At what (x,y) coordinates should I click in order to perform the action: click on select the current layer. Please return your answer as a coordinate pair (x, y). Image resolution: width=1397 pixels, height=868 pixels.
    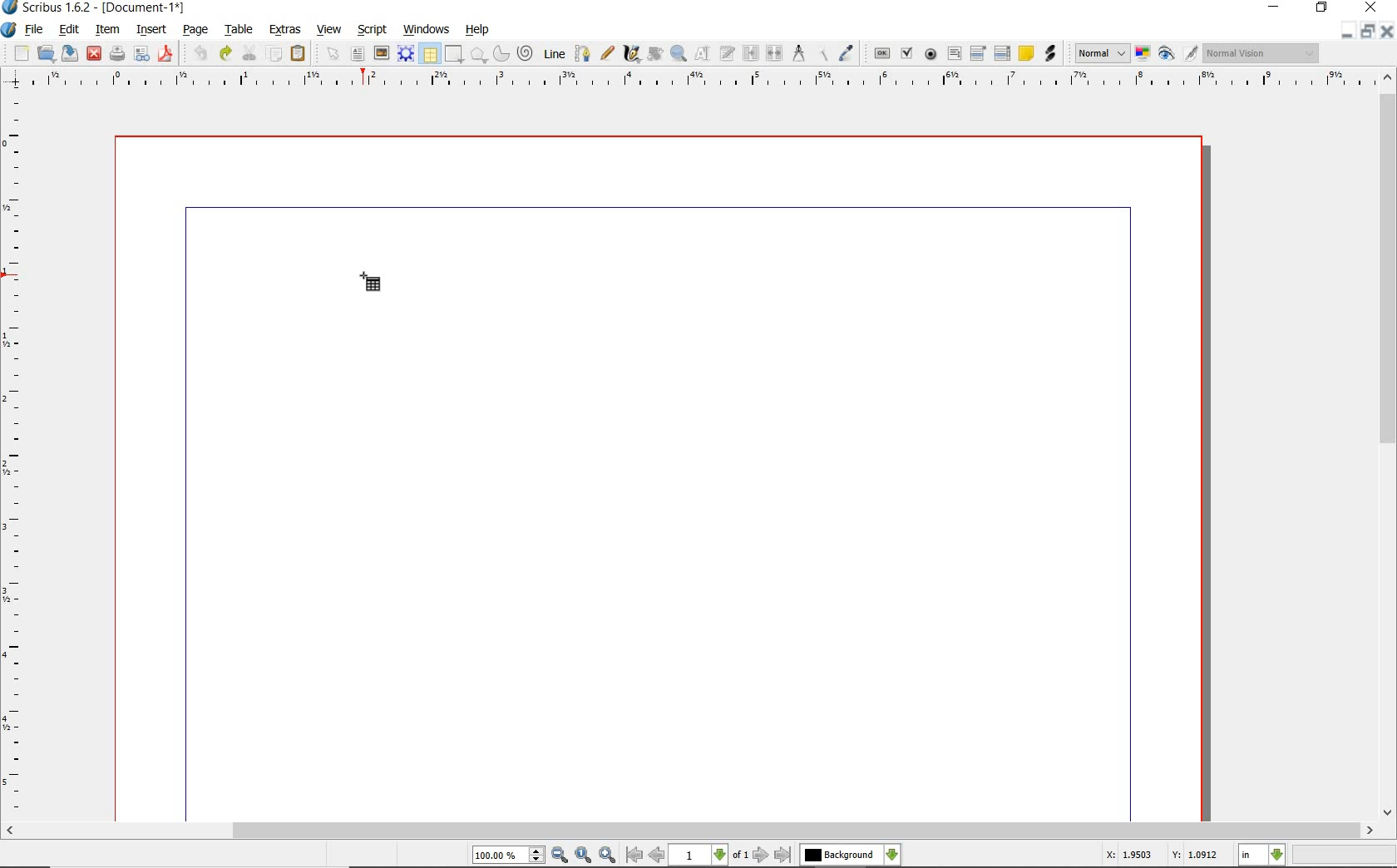
    Looking at the image, I should click on (850, 855).